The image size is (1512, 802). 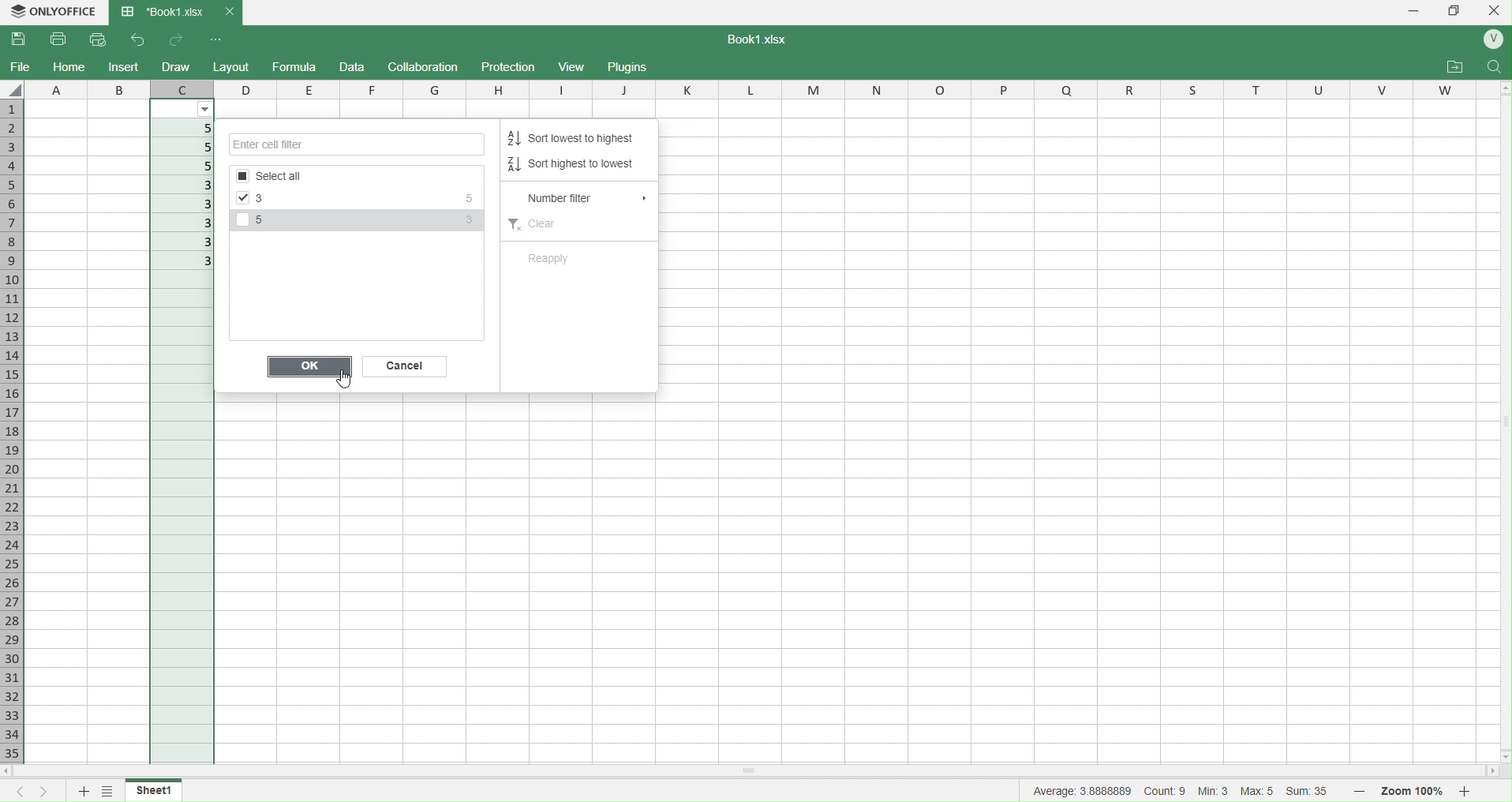 I want to click on Cursor, so click(x=342, y=380).